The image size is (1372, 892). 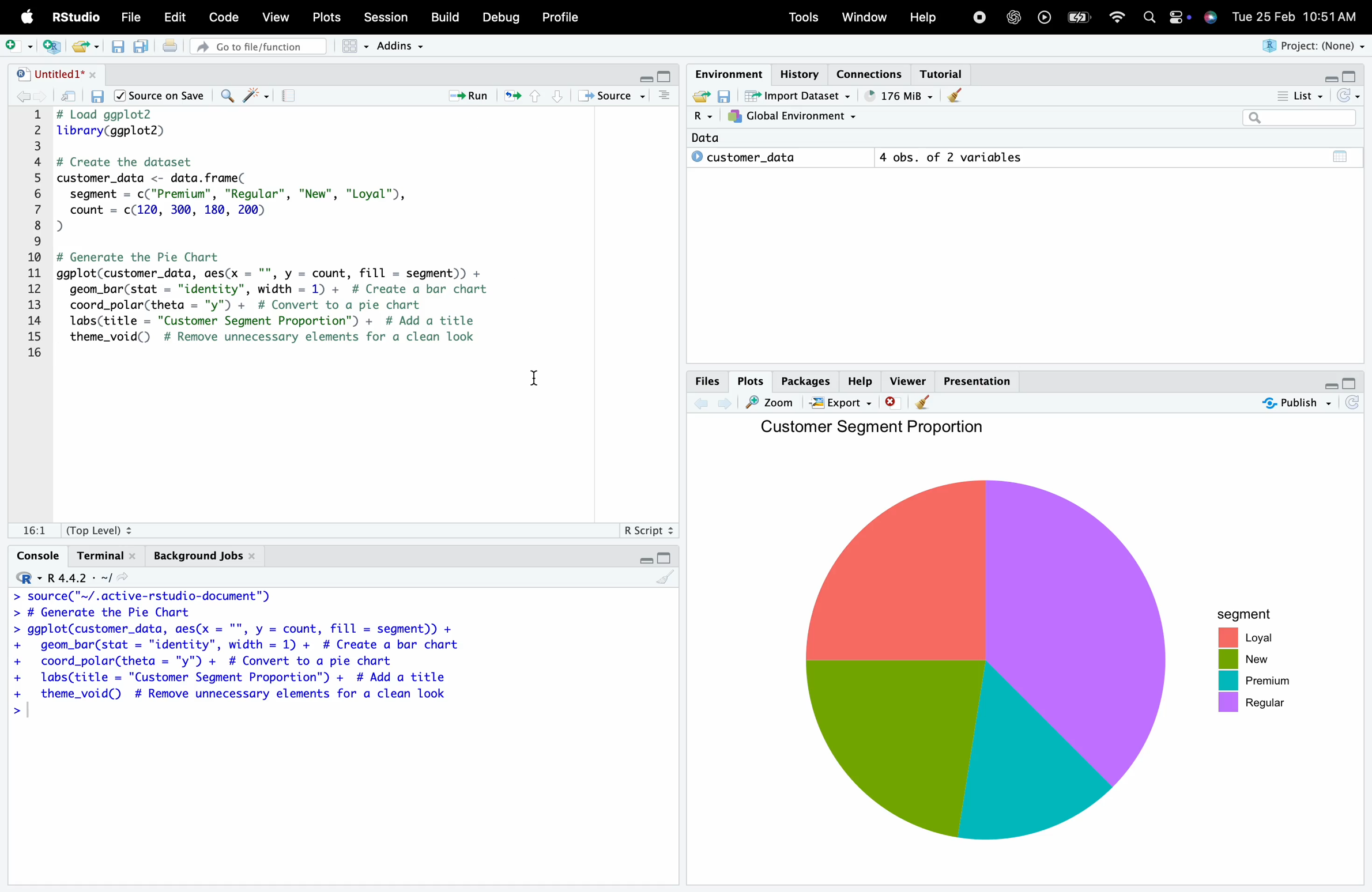 What do you see at coordinates (924, 16) in the screenshot?
I see `Help` at bounding box center [924, 16].